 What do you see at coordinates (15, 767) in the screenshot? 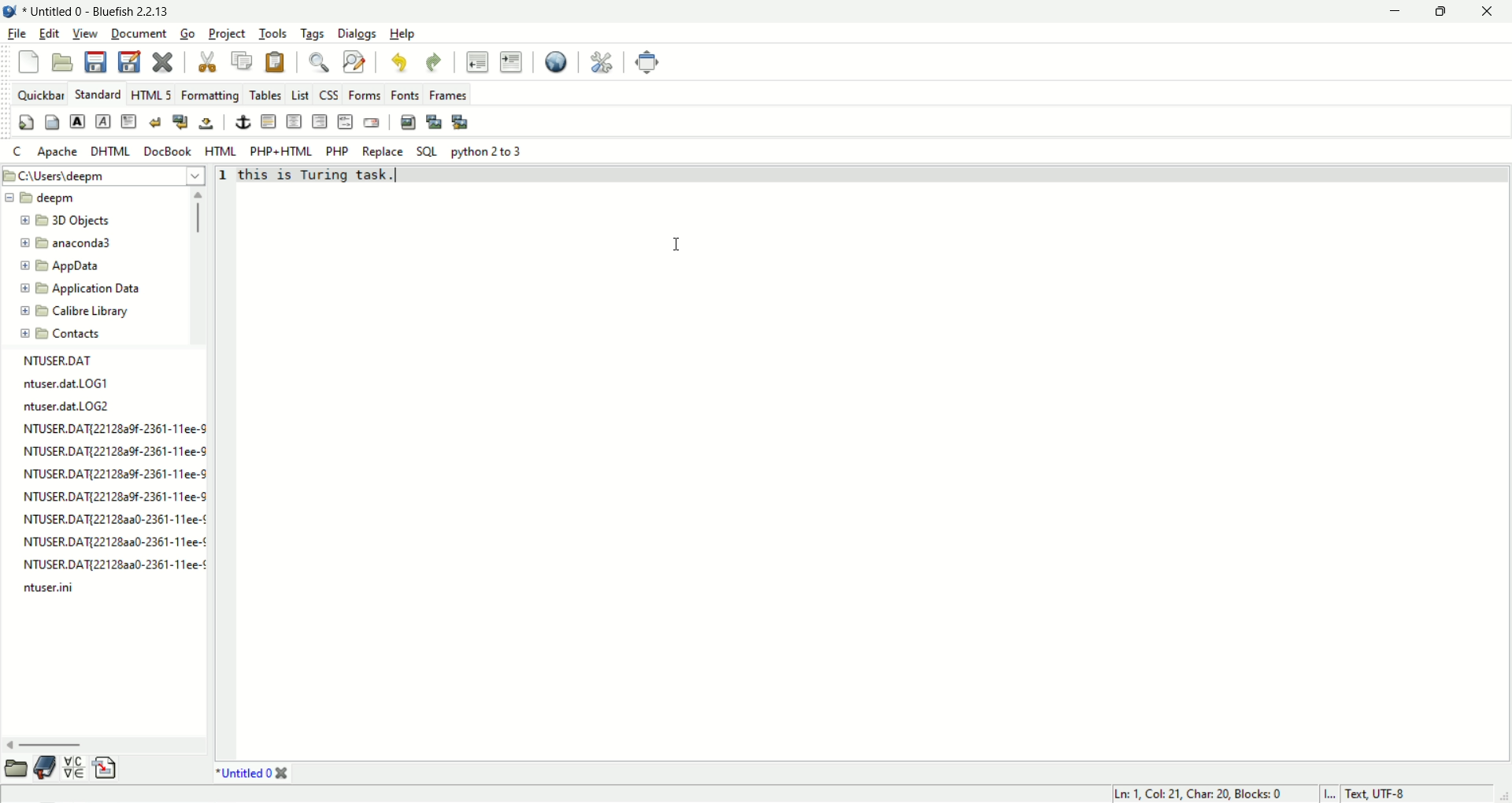
I see `file browser` at bounding box center [15, 767].